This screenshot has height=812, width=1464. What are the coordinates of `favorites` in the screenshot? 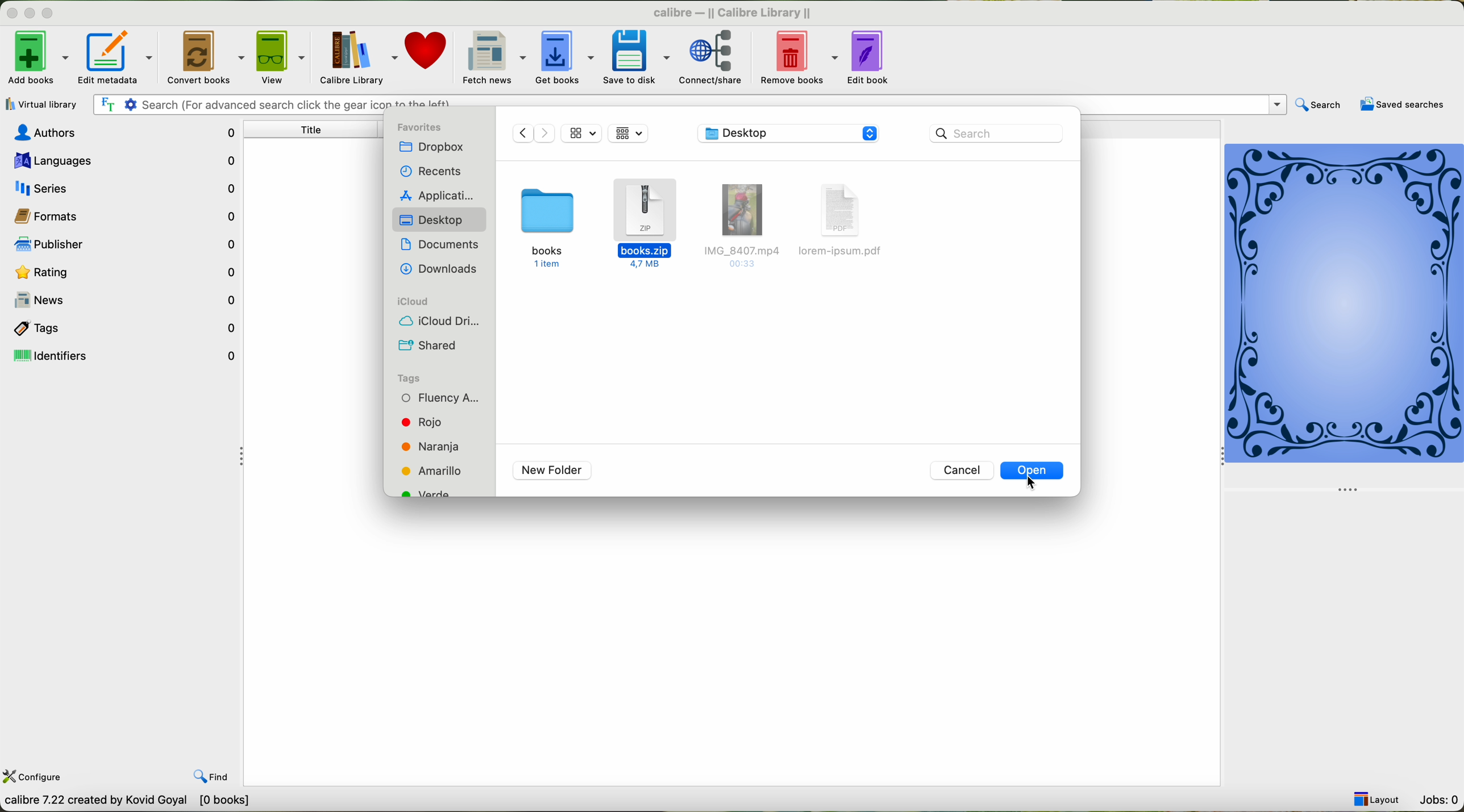 It's located at (423, 127).